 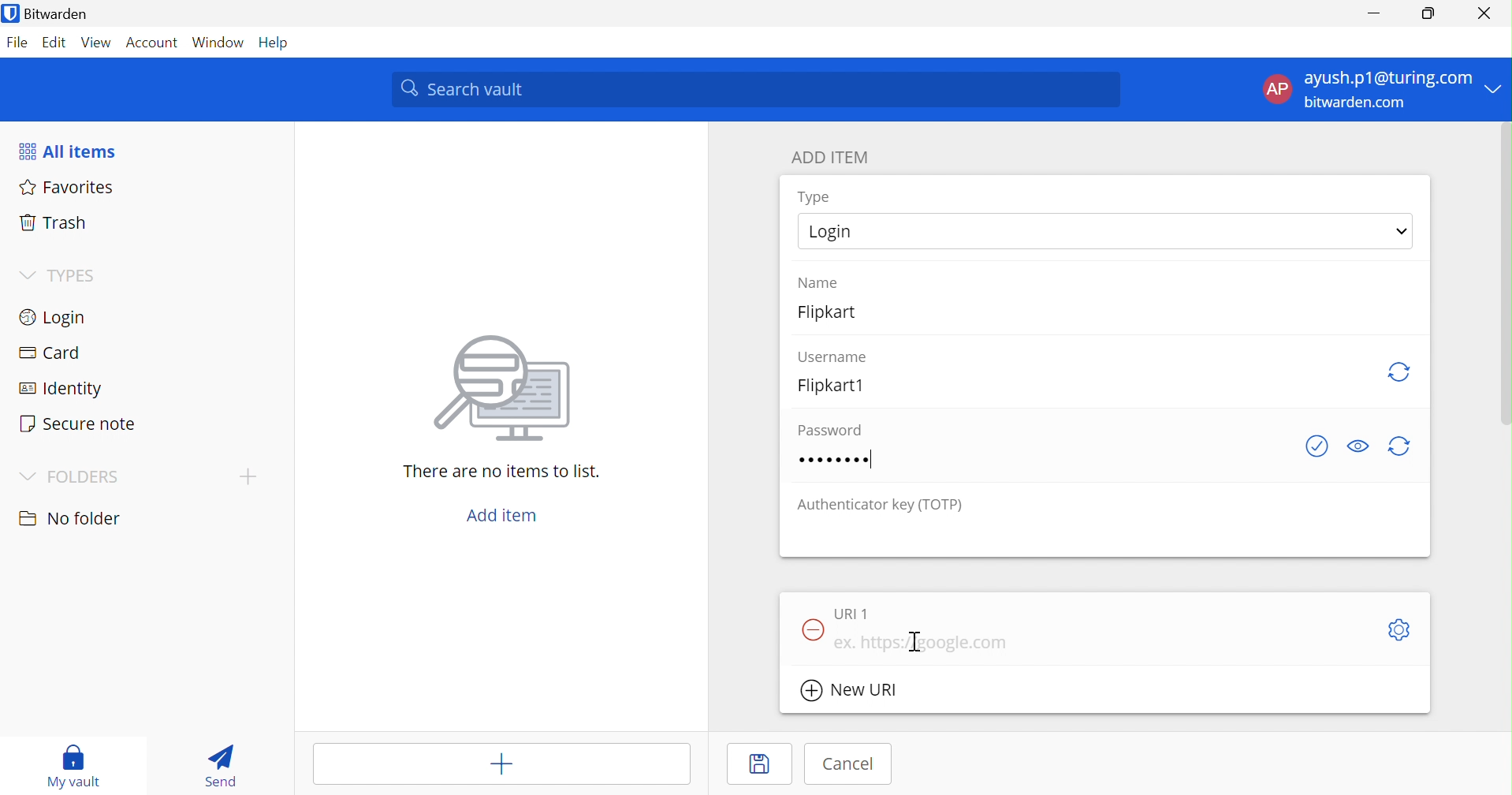 I want to click on Password, so click(x=838, y=461).